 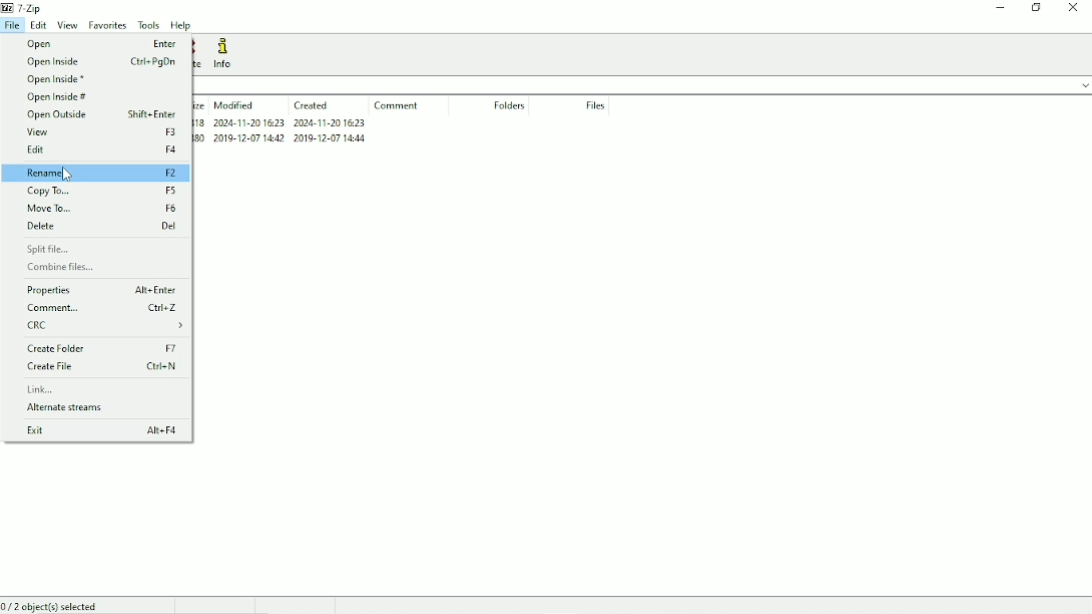 I want to click on Comment, so click(x=101, y=308).